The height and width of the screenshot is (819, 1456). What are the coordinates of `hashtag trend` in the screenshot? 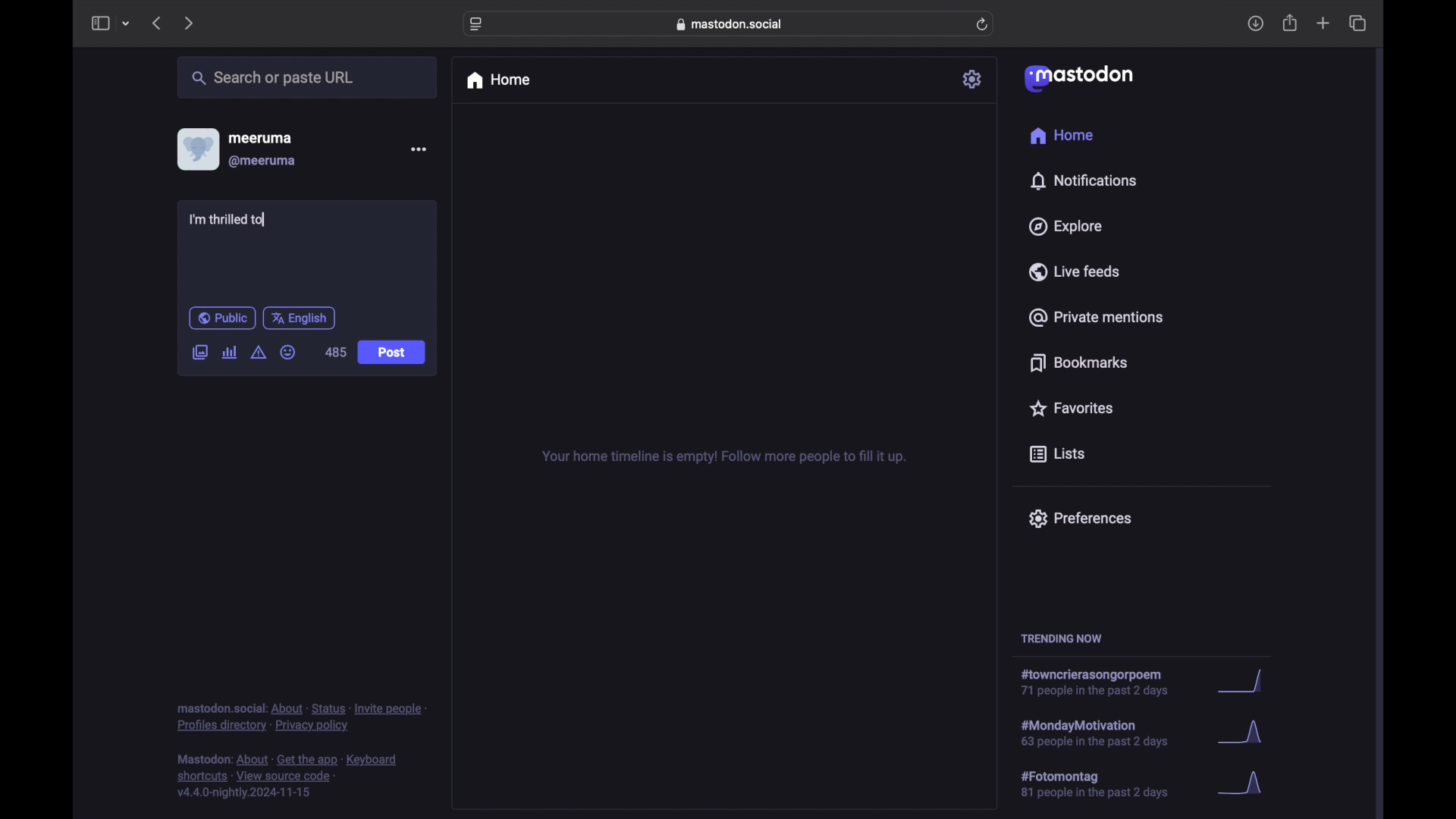 It's located at (1105, 783).